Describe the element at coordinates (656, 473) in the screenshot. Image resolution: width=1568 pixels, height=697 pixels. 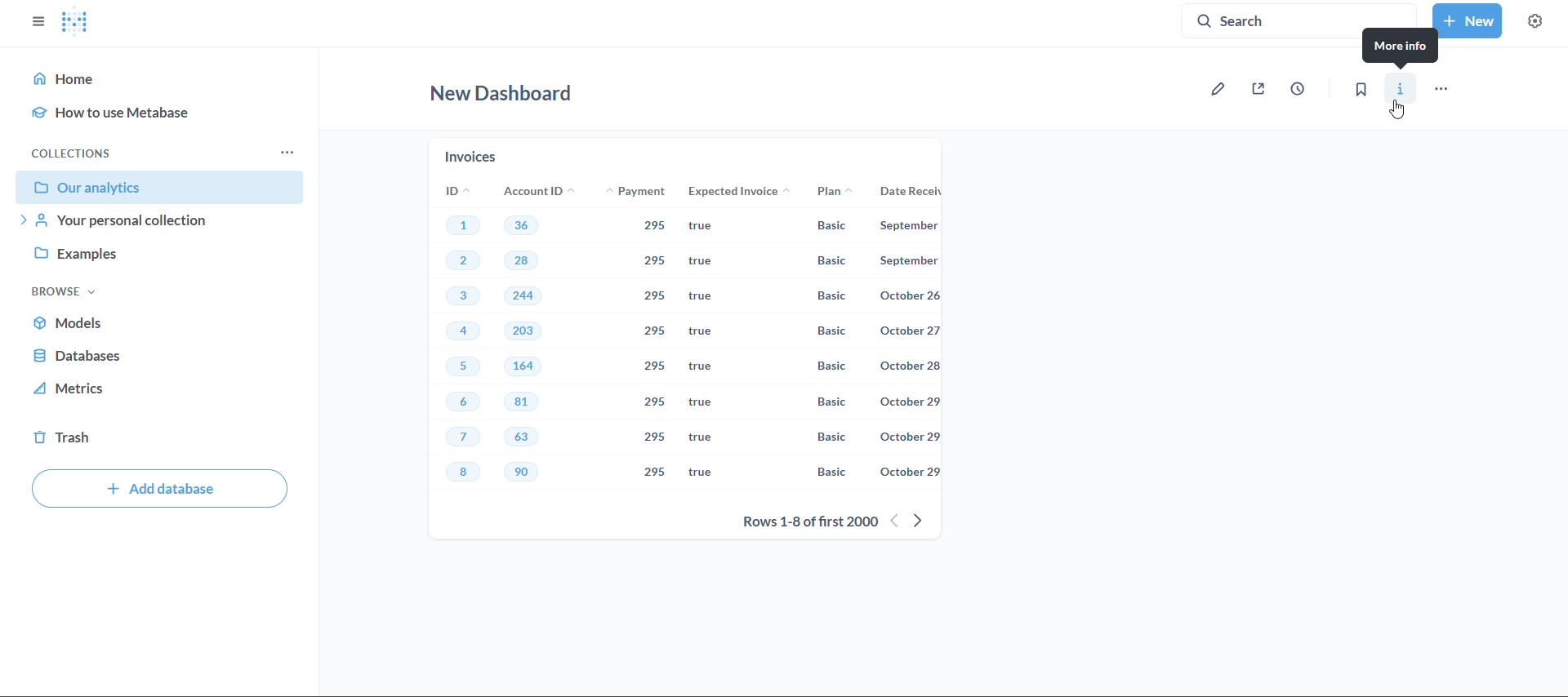
I see `295` at that location.